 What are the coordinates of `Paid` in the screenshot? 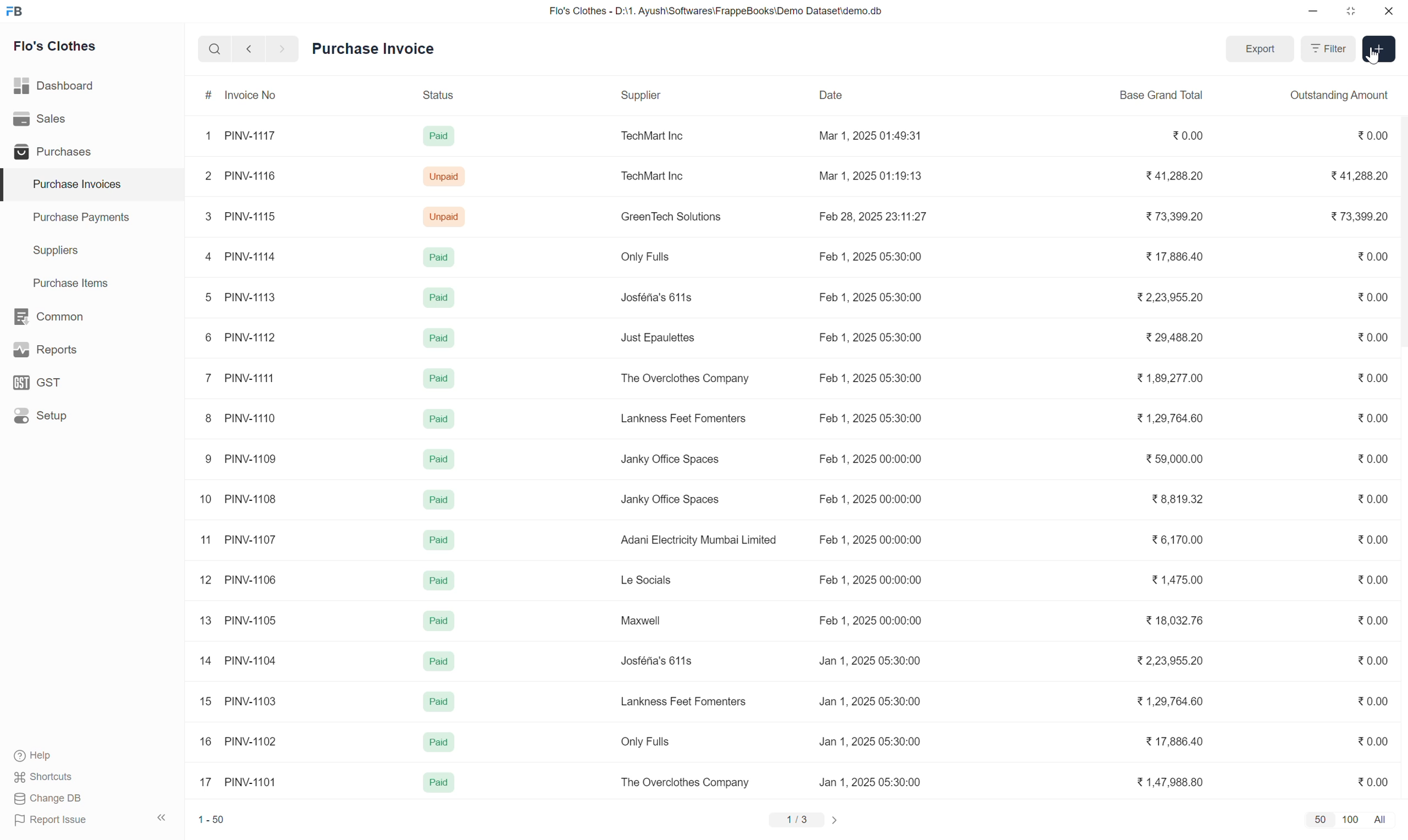 It's located at (438, 700).